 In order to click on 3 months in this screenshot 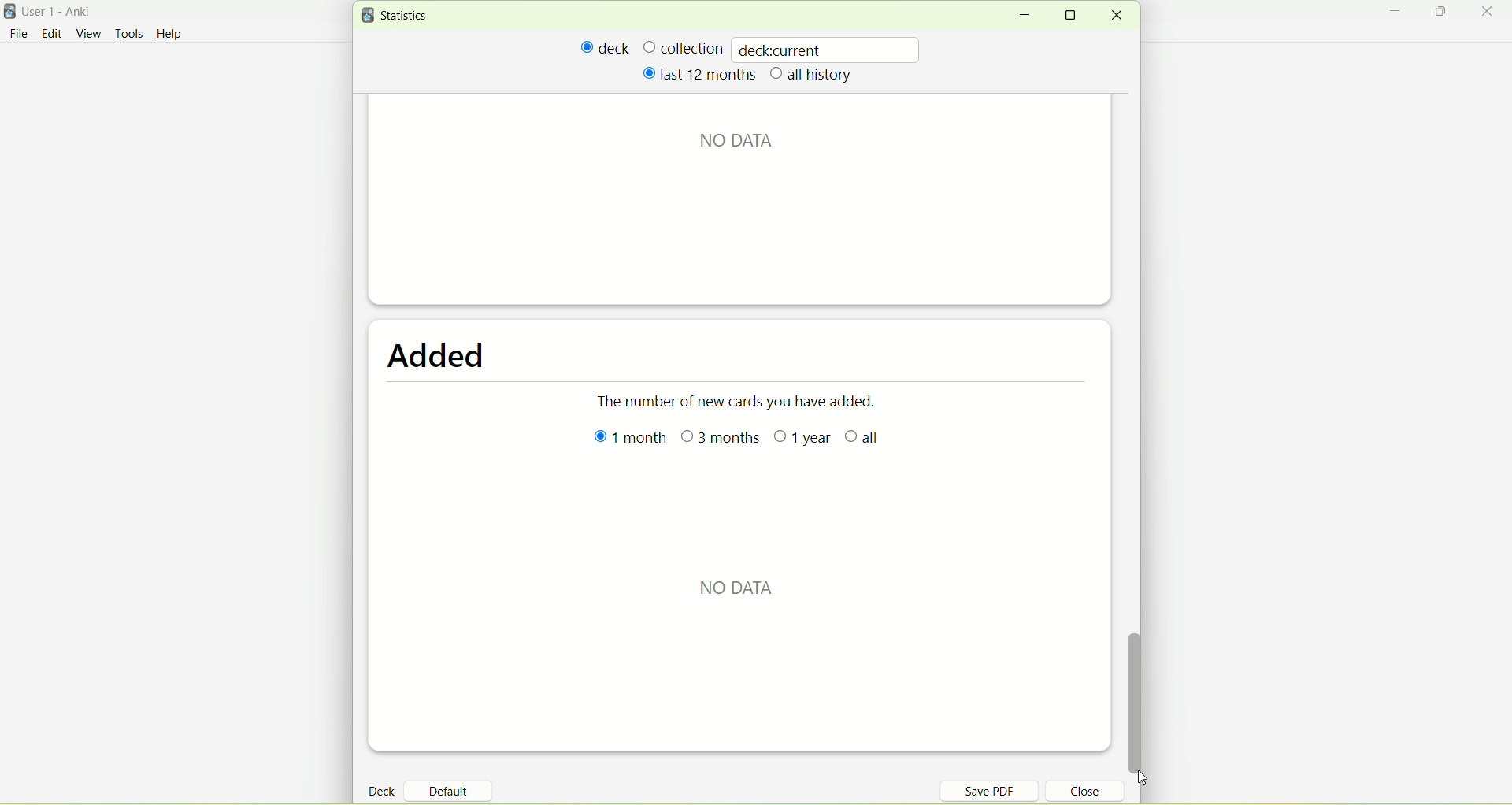, I will do `click(724, 440)`.